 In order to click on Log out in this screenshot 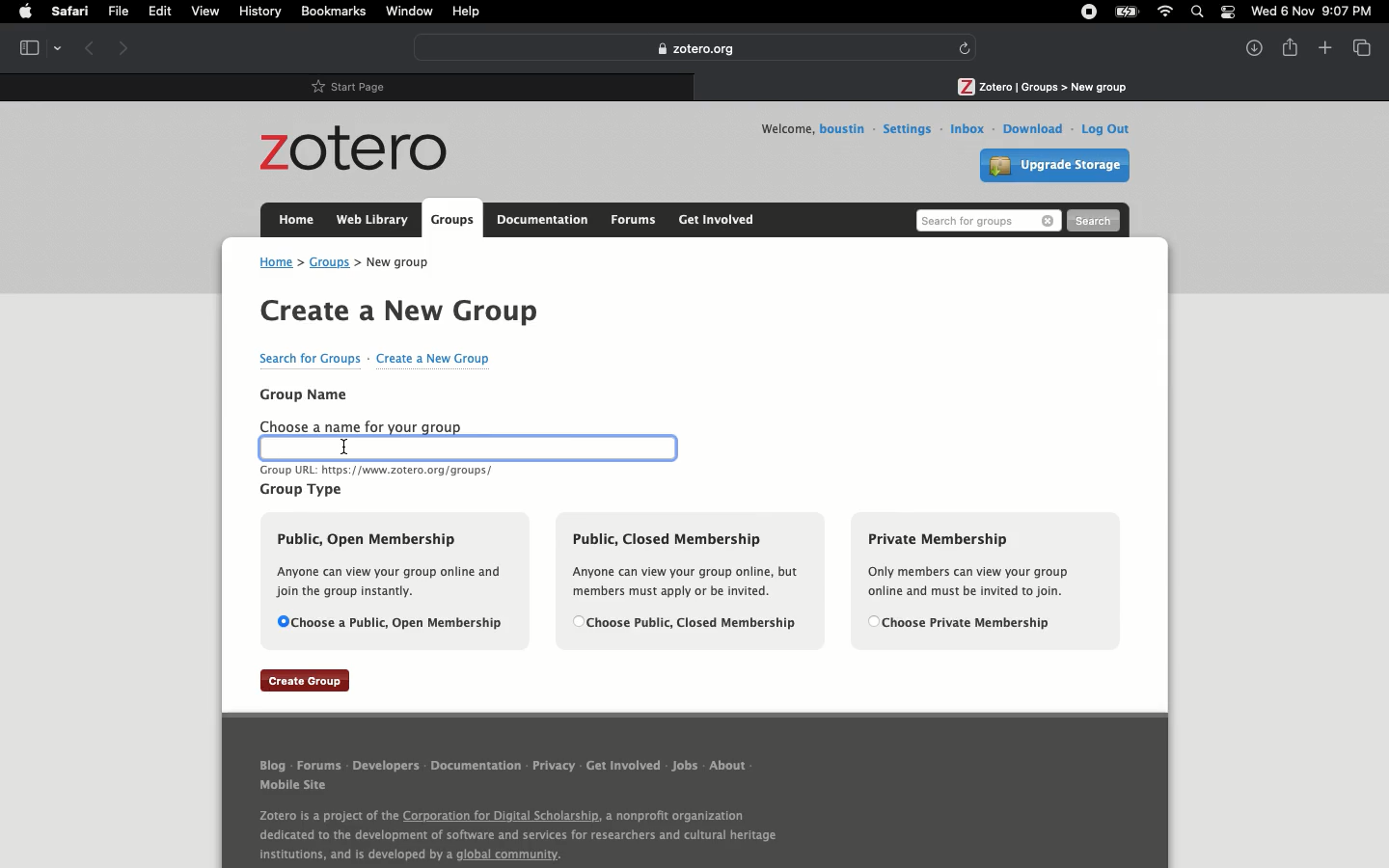, I will do `click(1103, 128)`.